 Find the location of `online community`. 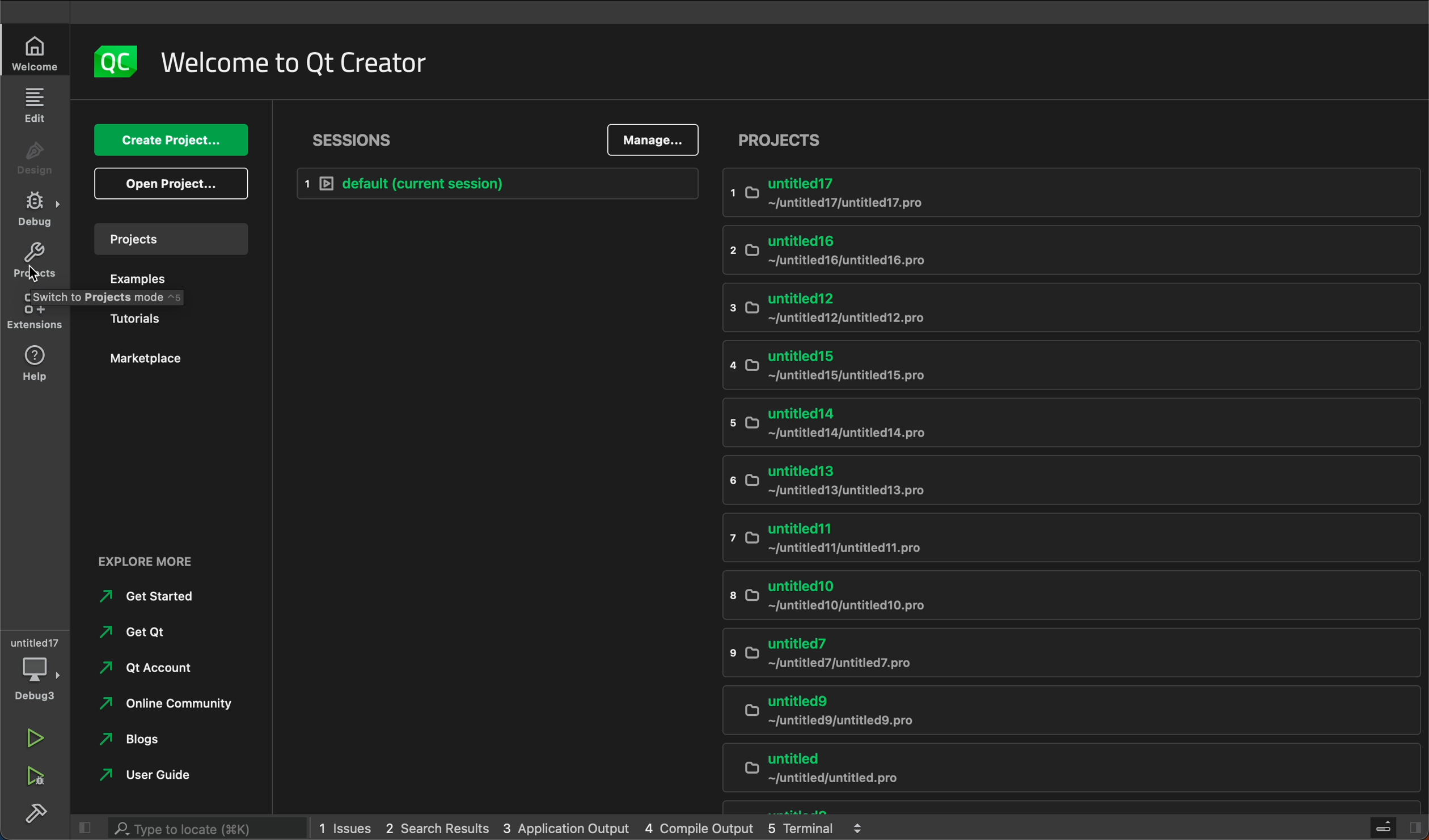

online community is located at coordinates (164, 701).